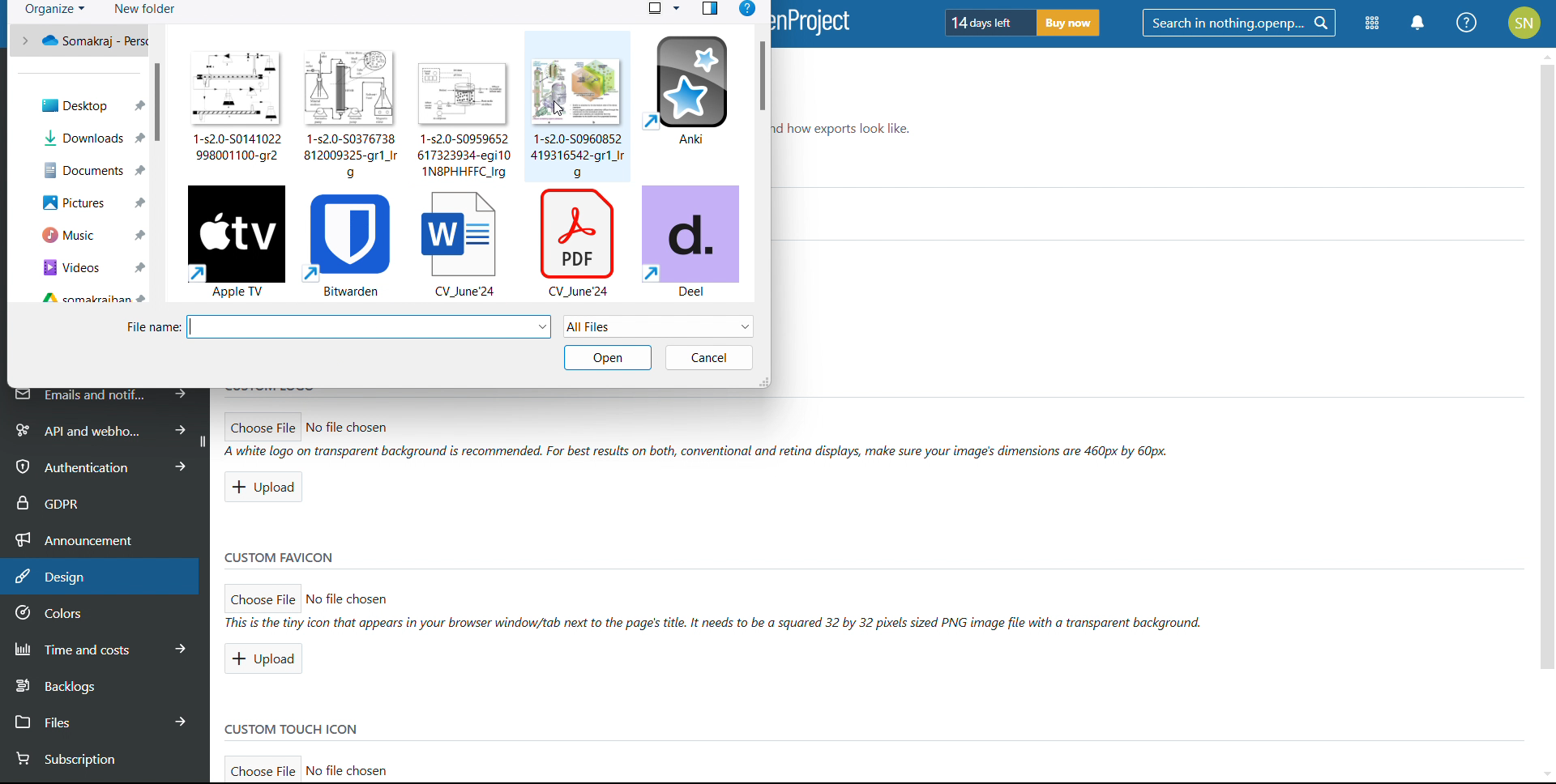 This screenshot has height=784, width=1556. What do you see at coordinates (371, 327) in the screenshot?
I see `select file name` at bounding box center [371, 327].